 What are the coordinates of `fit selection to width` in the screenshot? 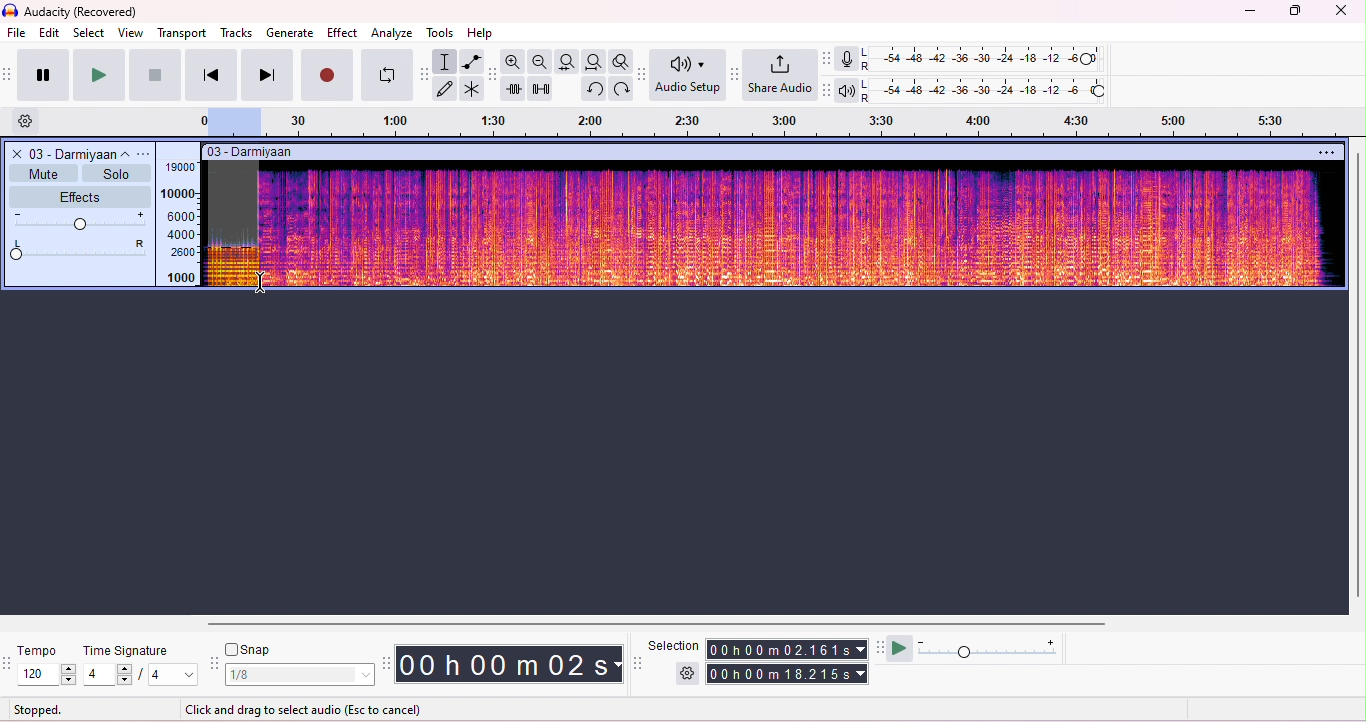 It's located at (567, 62).